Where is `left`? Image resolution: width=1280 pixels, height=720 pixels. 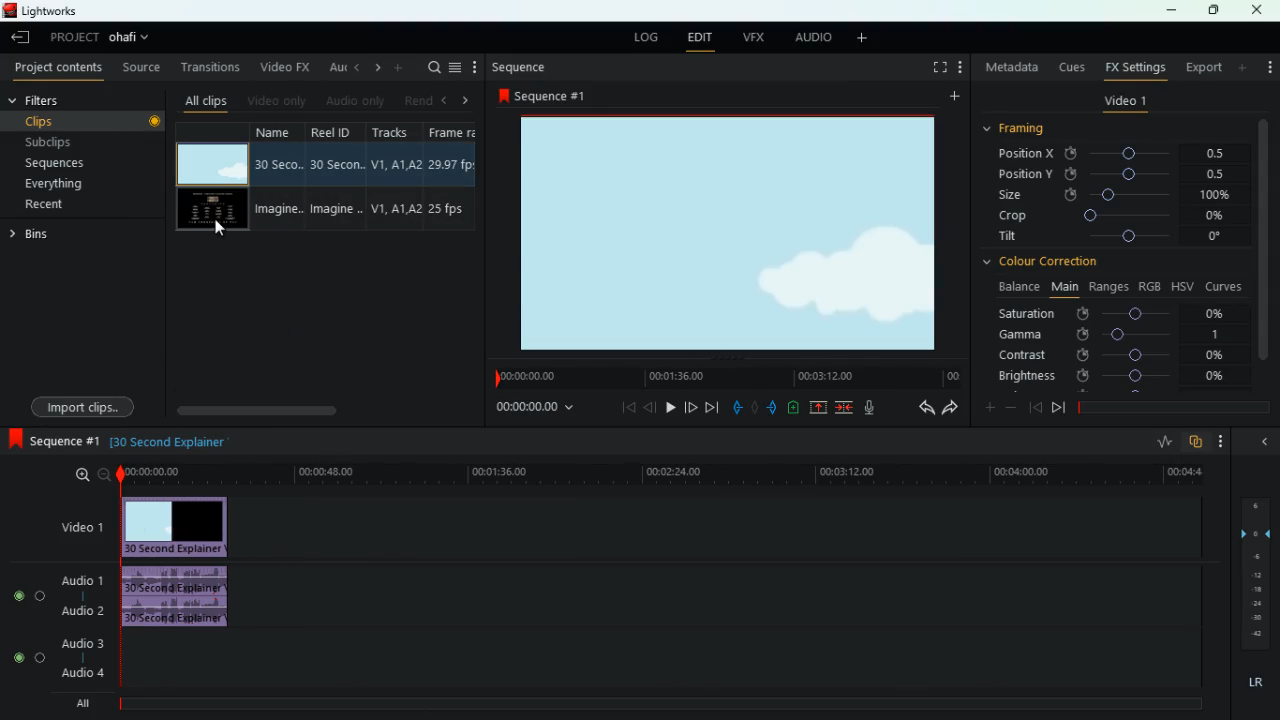 left is located at coordinates (448, 100).